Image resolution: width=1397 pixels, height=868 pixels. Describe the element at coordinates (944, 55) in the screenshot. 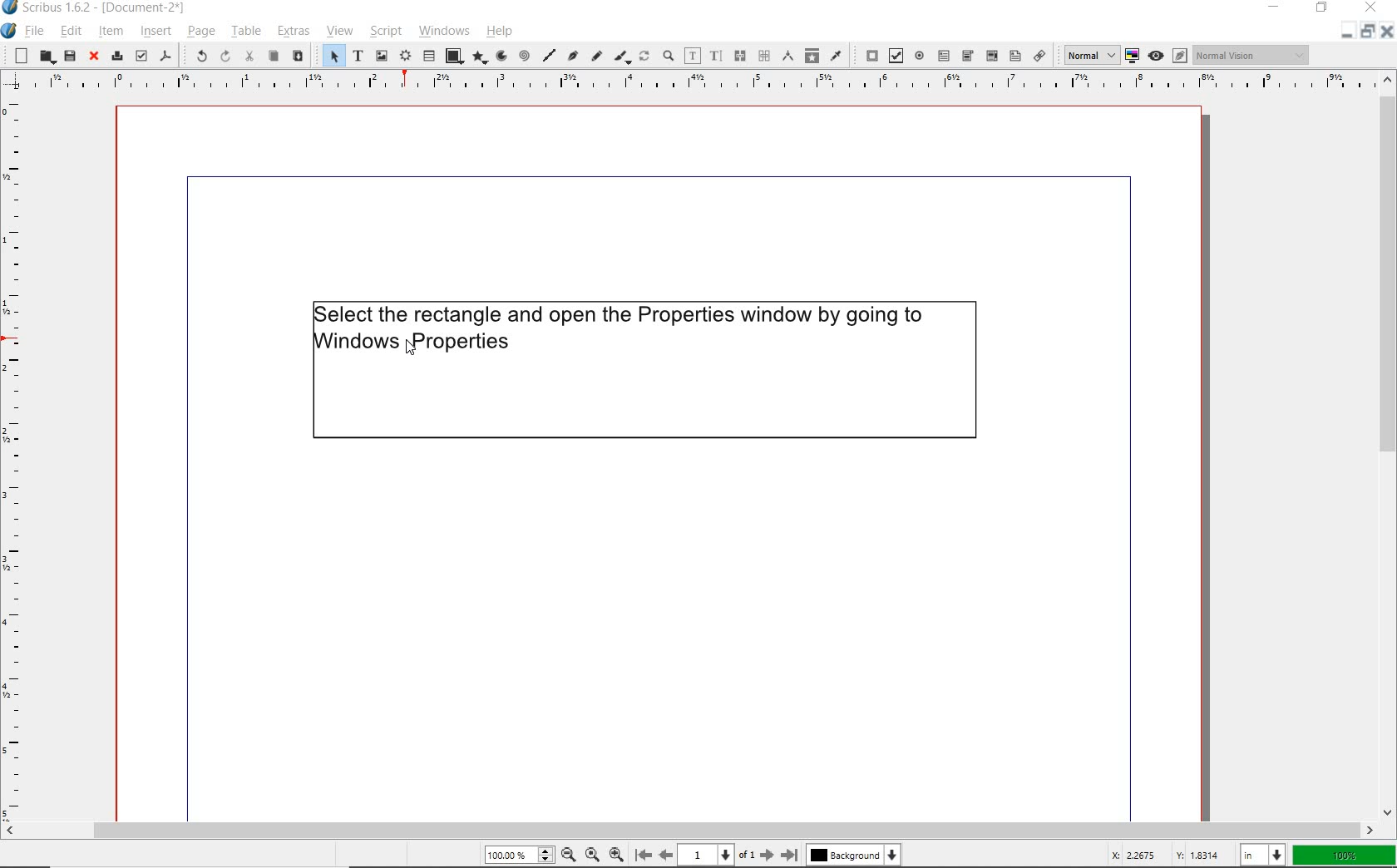

I see `pdf text field` at that location.